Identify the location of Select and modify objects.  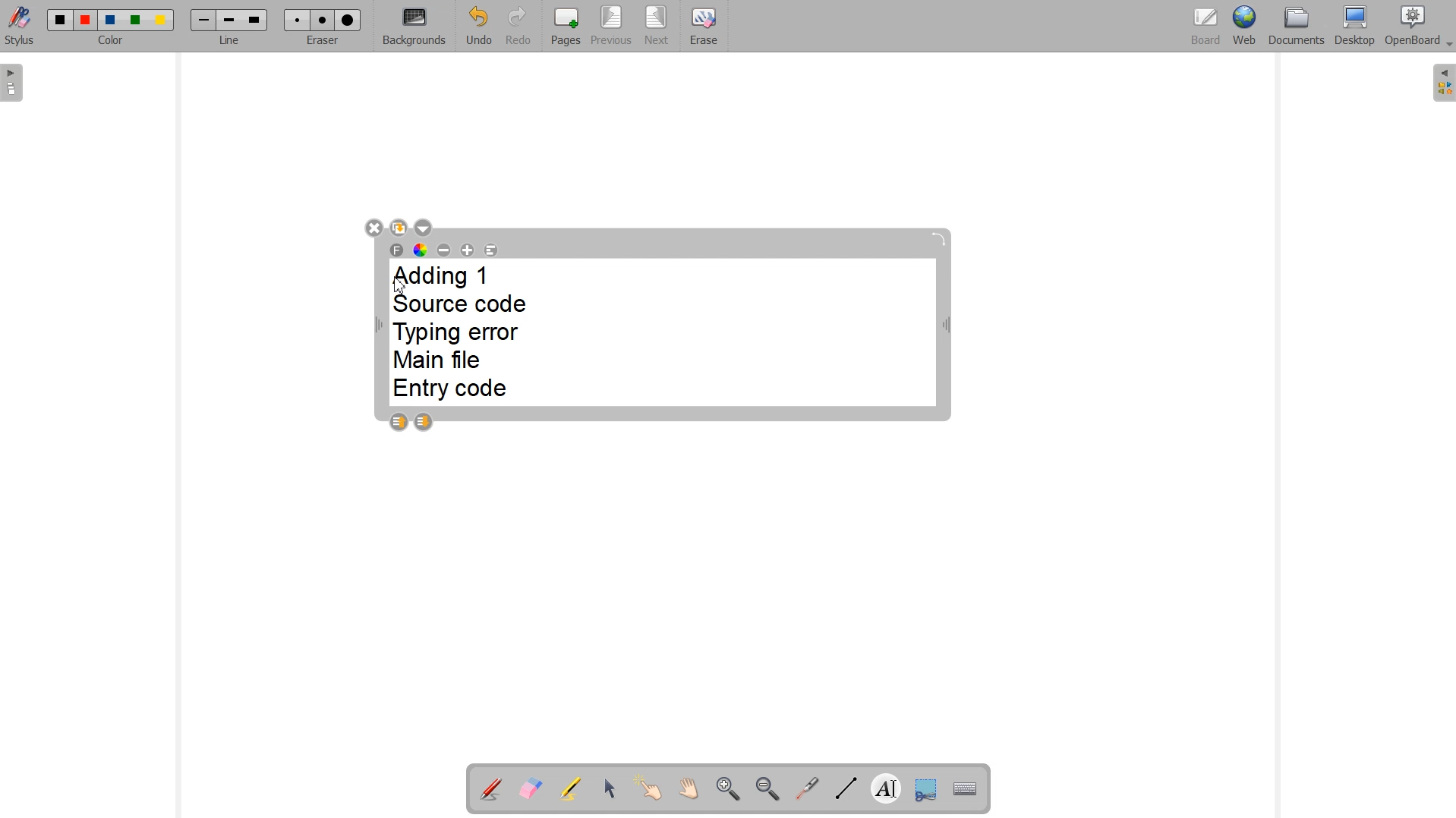
(610, 788).